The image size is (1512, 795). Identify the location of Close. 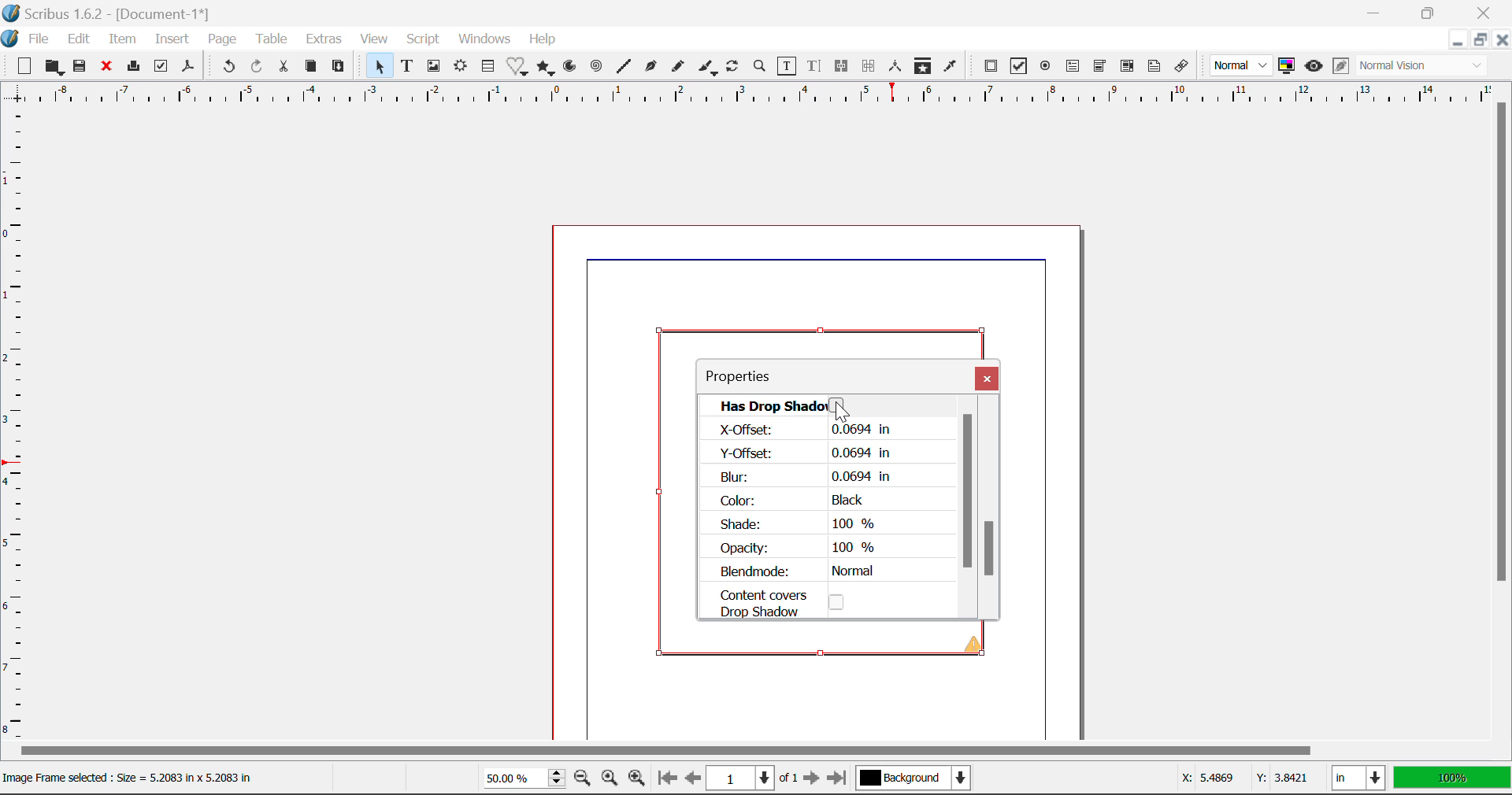
(1484, 11).